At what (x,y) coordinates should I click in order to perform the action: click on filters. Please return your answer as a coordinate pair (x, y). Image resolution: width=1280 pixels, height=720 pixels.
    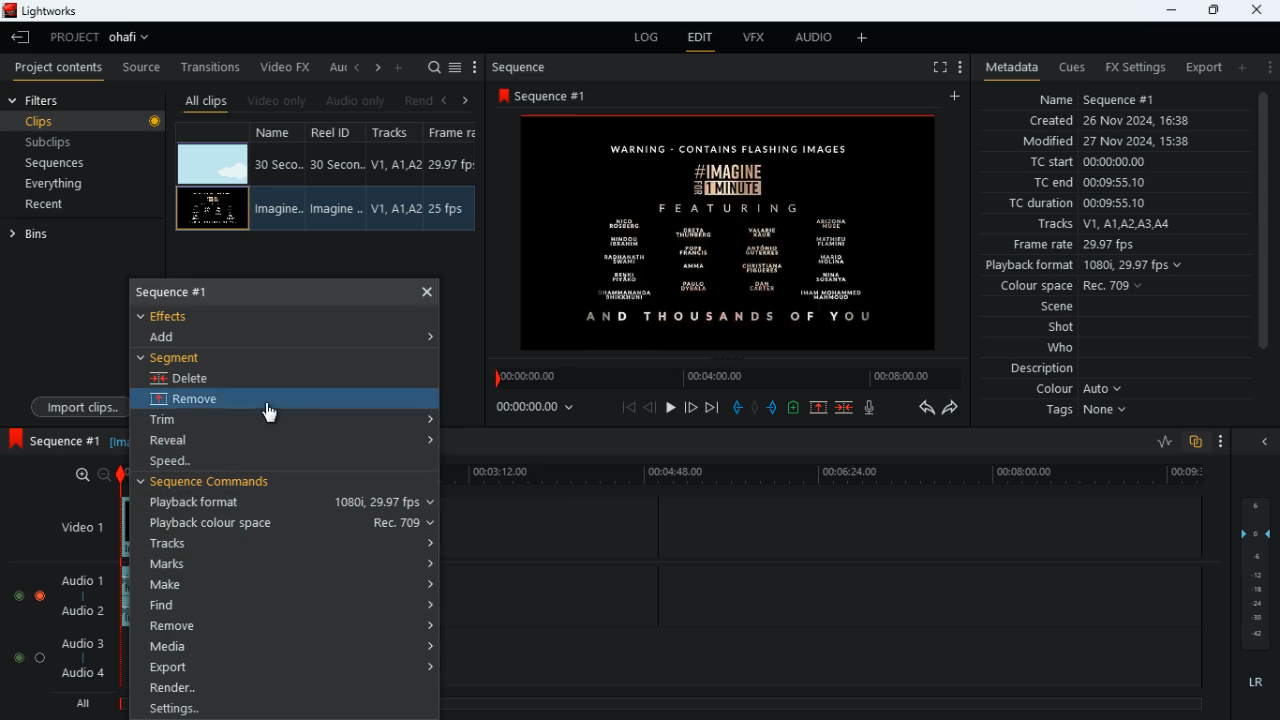
    Looking at the image, I should click on (51, 99).